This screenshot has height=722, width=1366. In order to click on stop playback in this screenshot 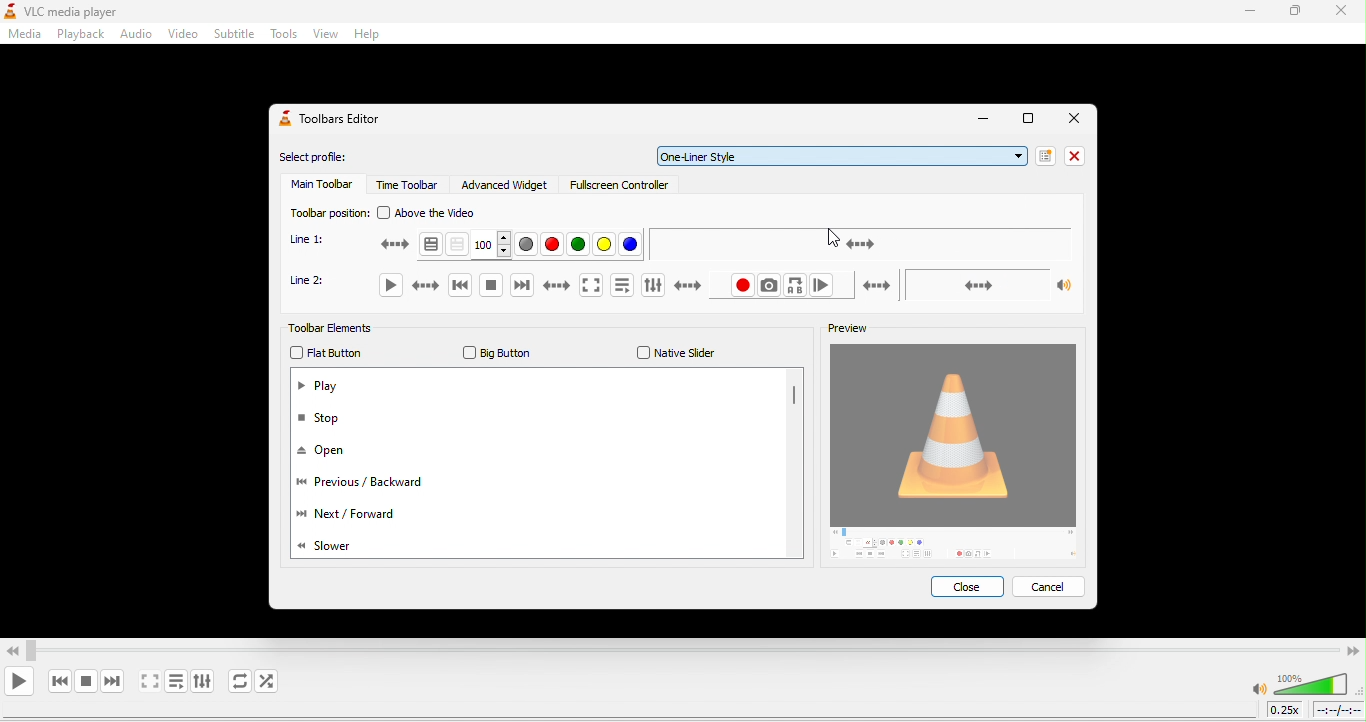, I will do `click(87, 680)`.